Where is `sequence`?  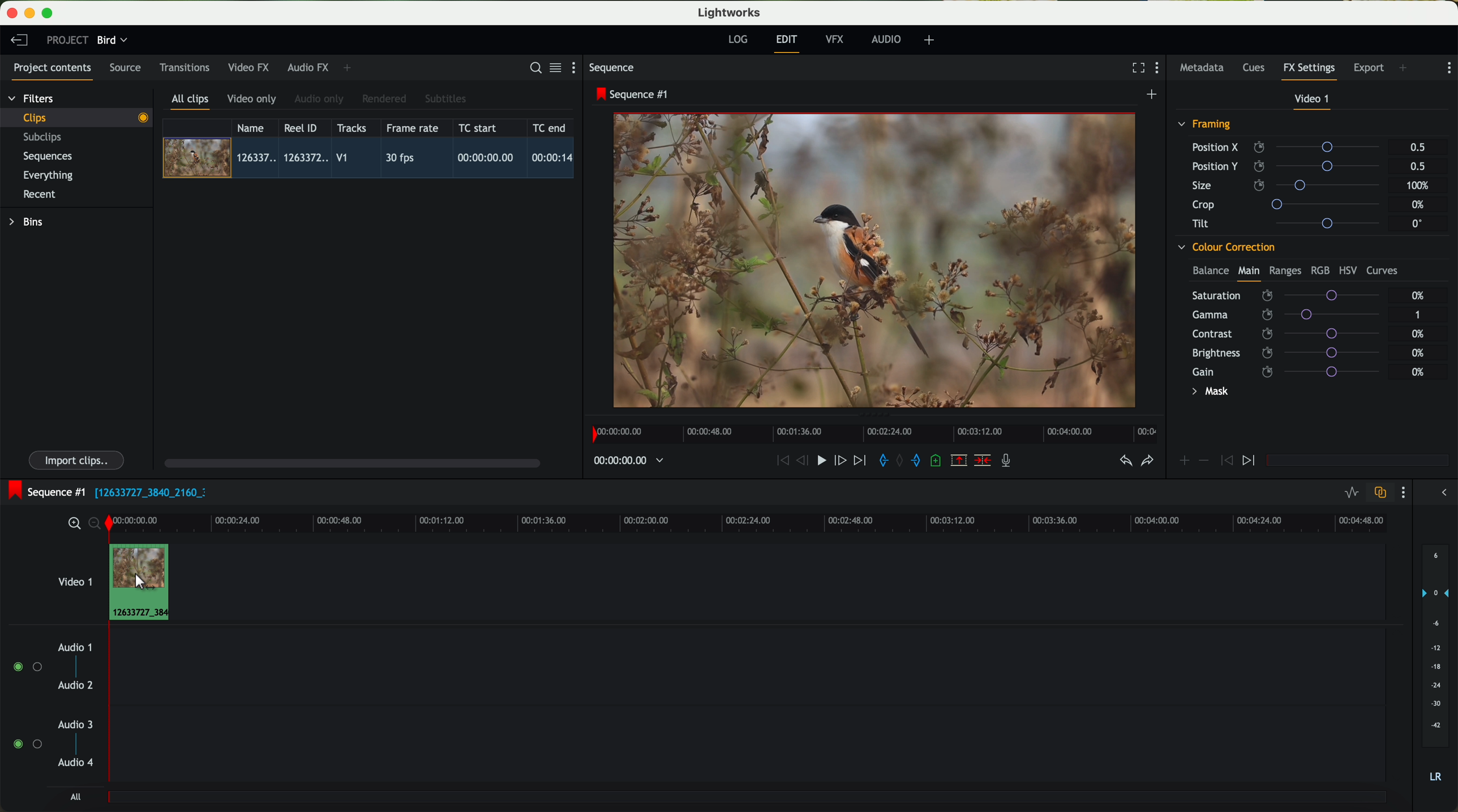
sequence is located at coordinates (612, 68).